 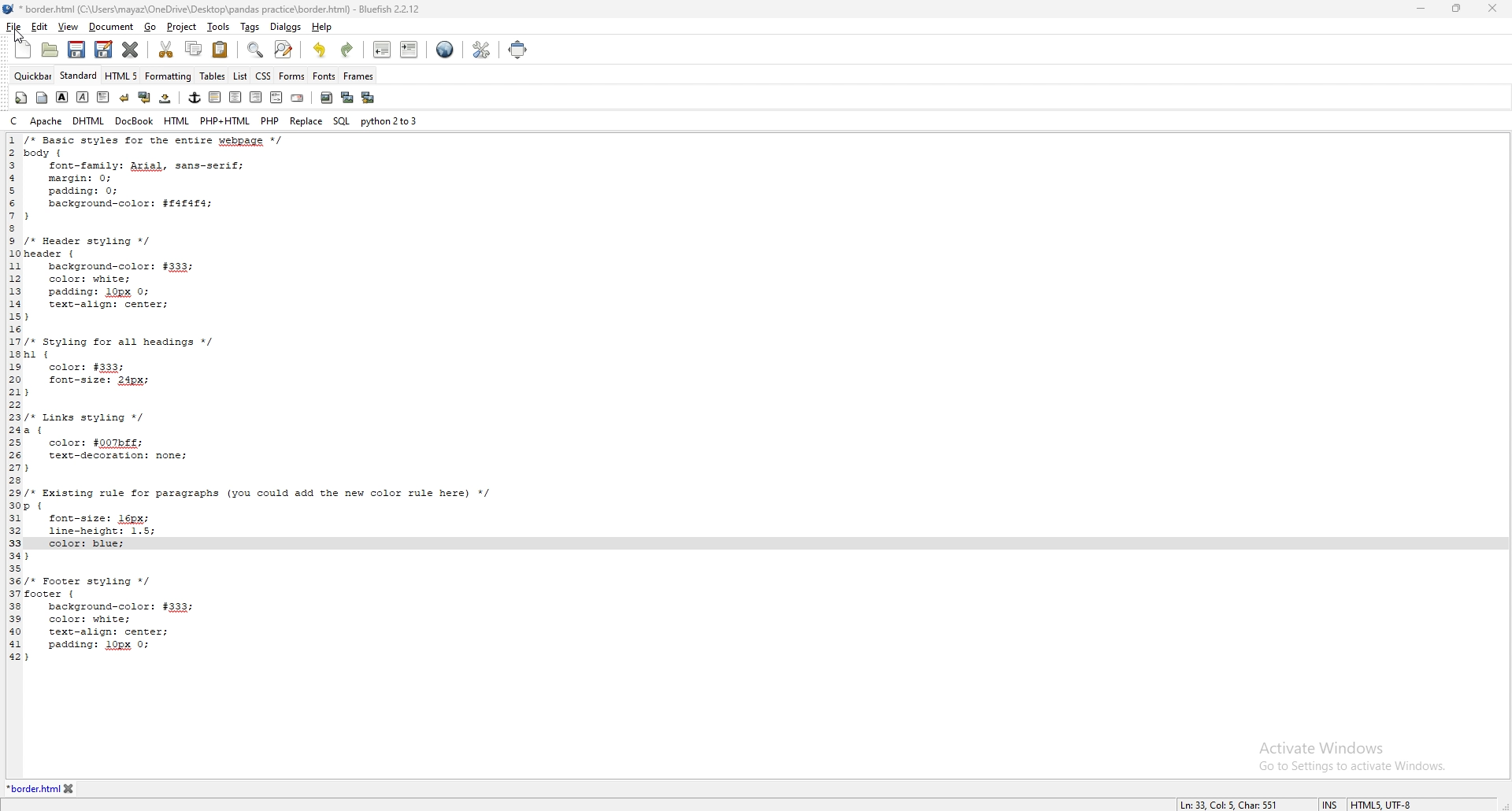 What do you see at coordinates (145, 98) in the screenshot?
I see `break and clear` at bounding box center [145, 98].